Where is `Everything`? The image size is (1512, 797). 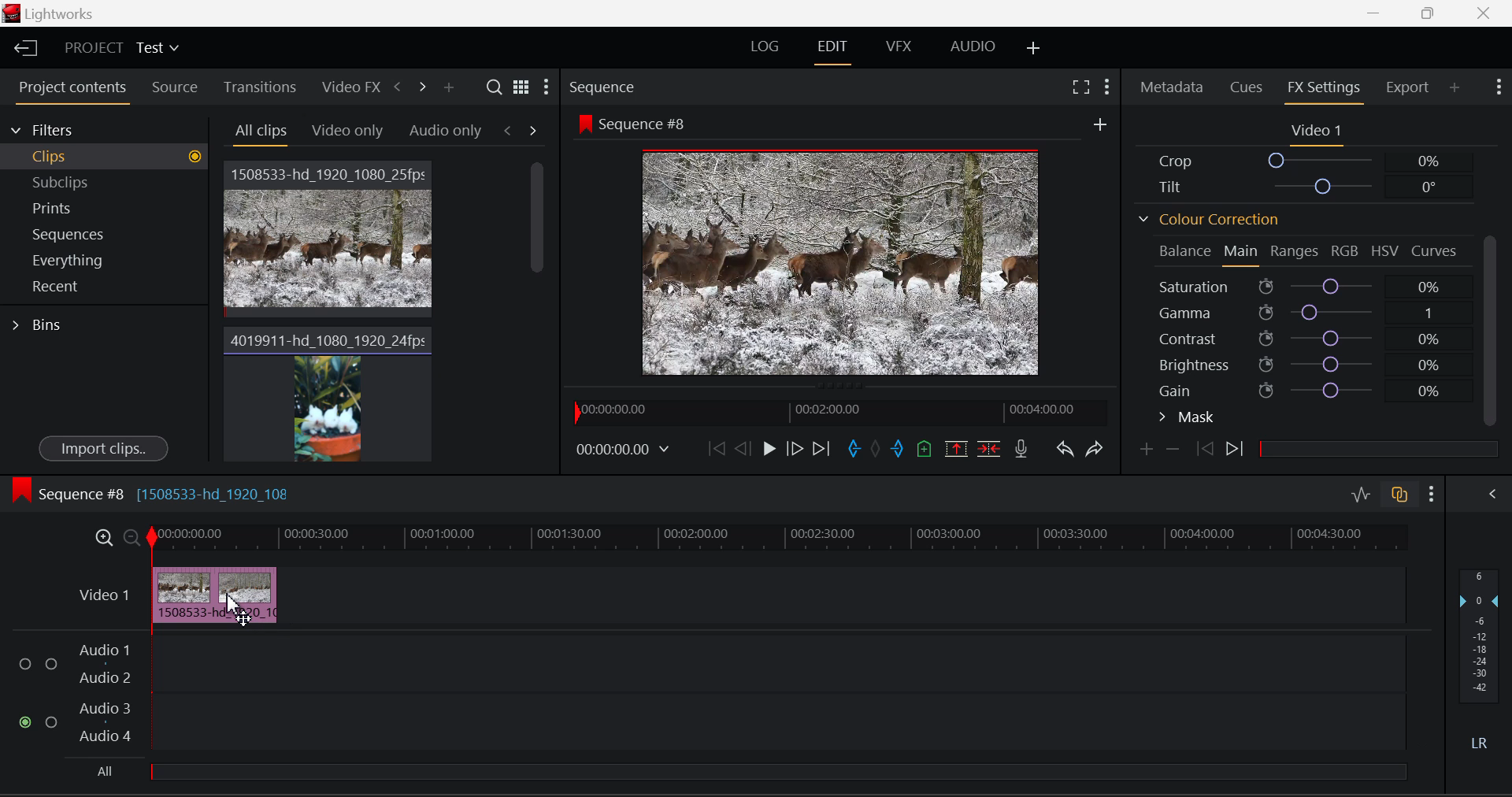 Everything is located at coordinates (113, 260).